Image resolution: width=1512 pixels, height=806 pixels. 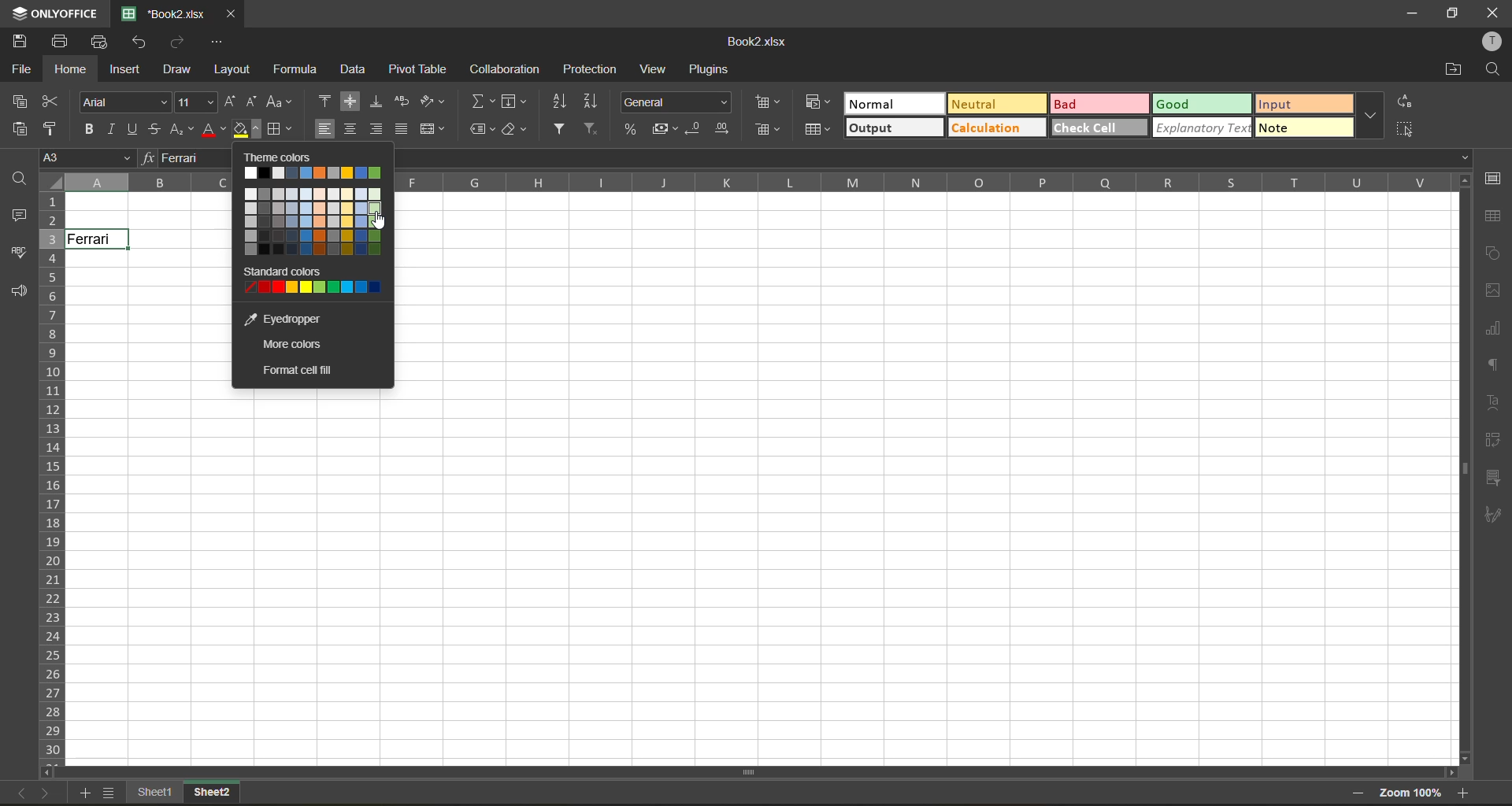 I want to click on check cell, so click(x=1101, y=129).